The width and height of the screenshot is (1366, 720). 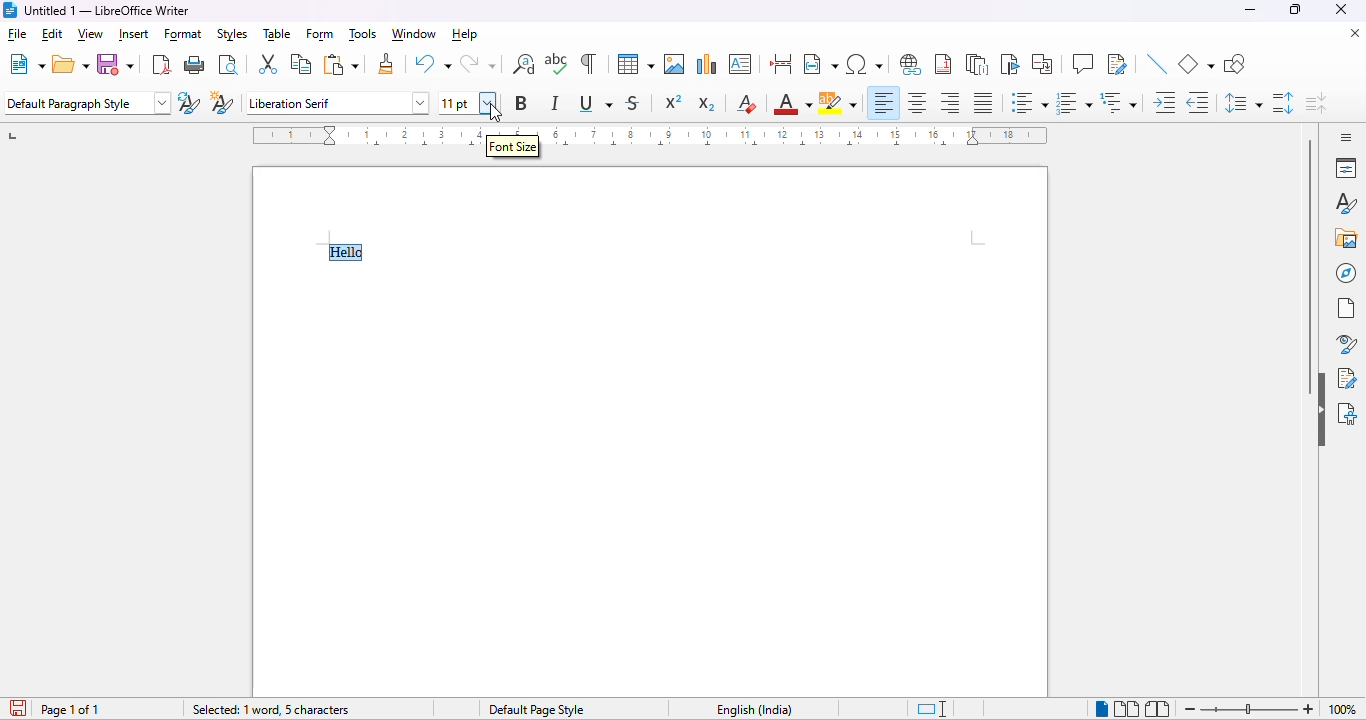 I want to click on file, so click(x=16, y=34).